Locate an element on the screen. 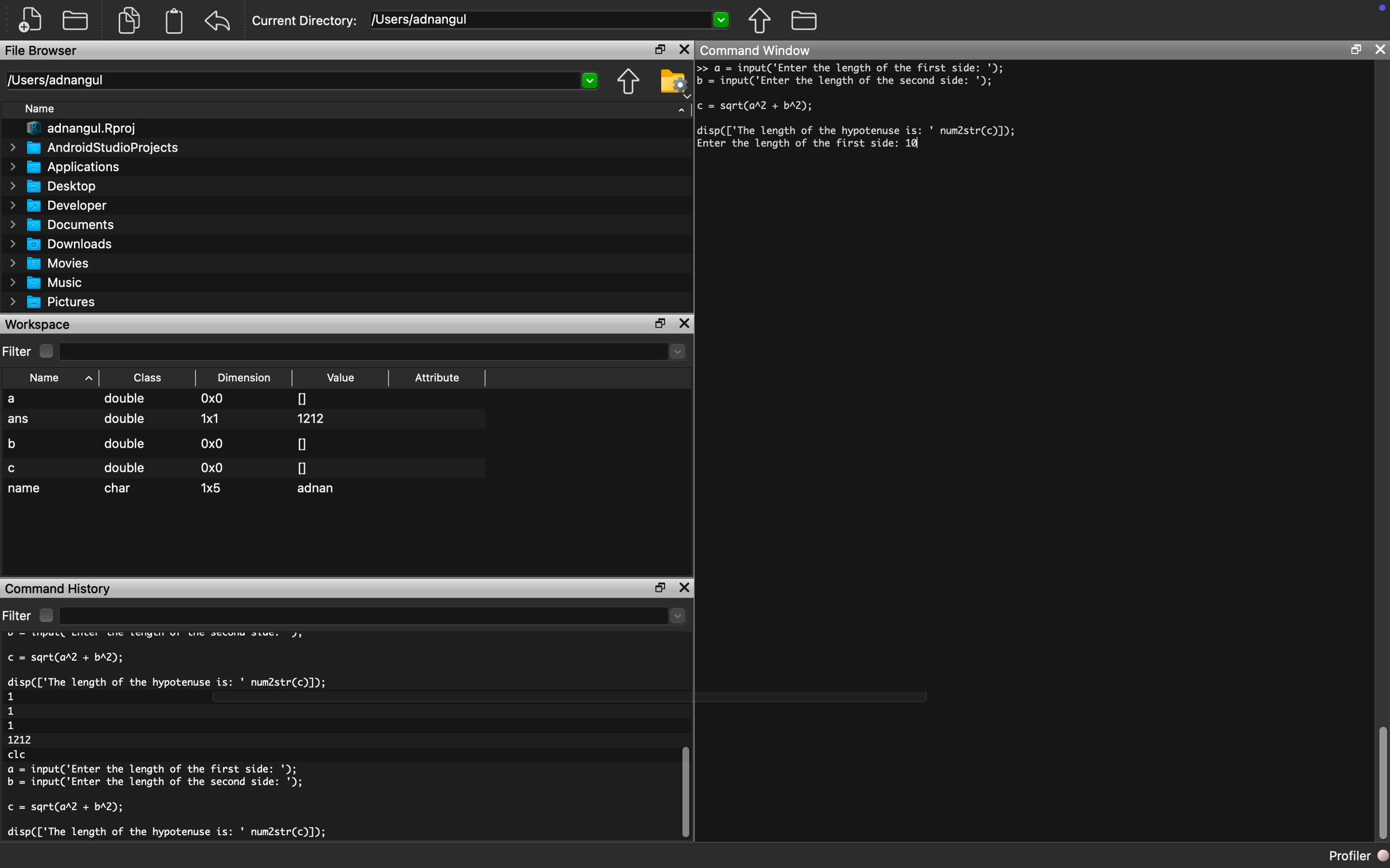  close is located at coordinates (686, 590).